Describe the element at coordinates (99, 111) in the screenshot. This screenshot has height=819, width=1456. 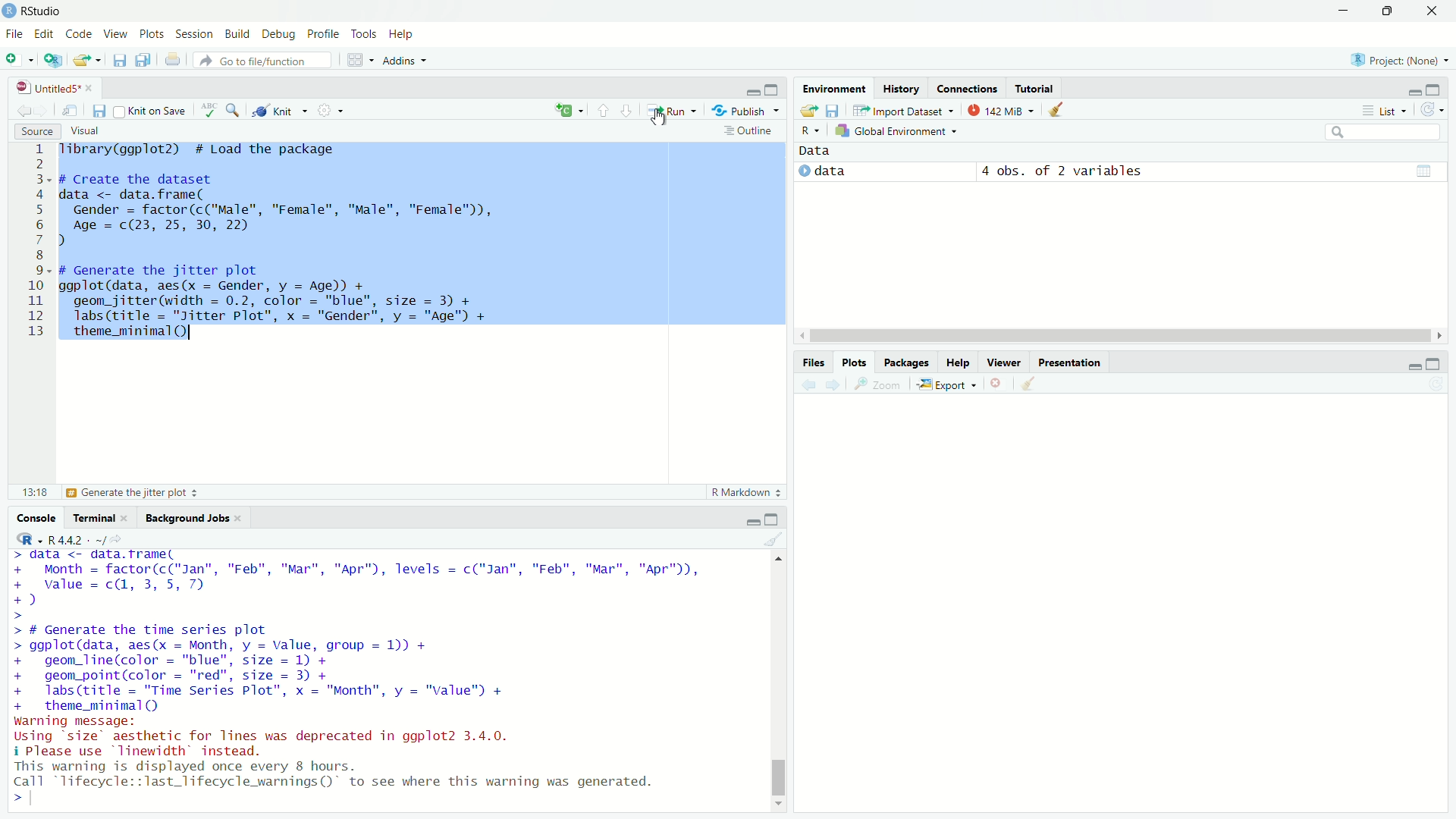
I see `save current document` at that location.